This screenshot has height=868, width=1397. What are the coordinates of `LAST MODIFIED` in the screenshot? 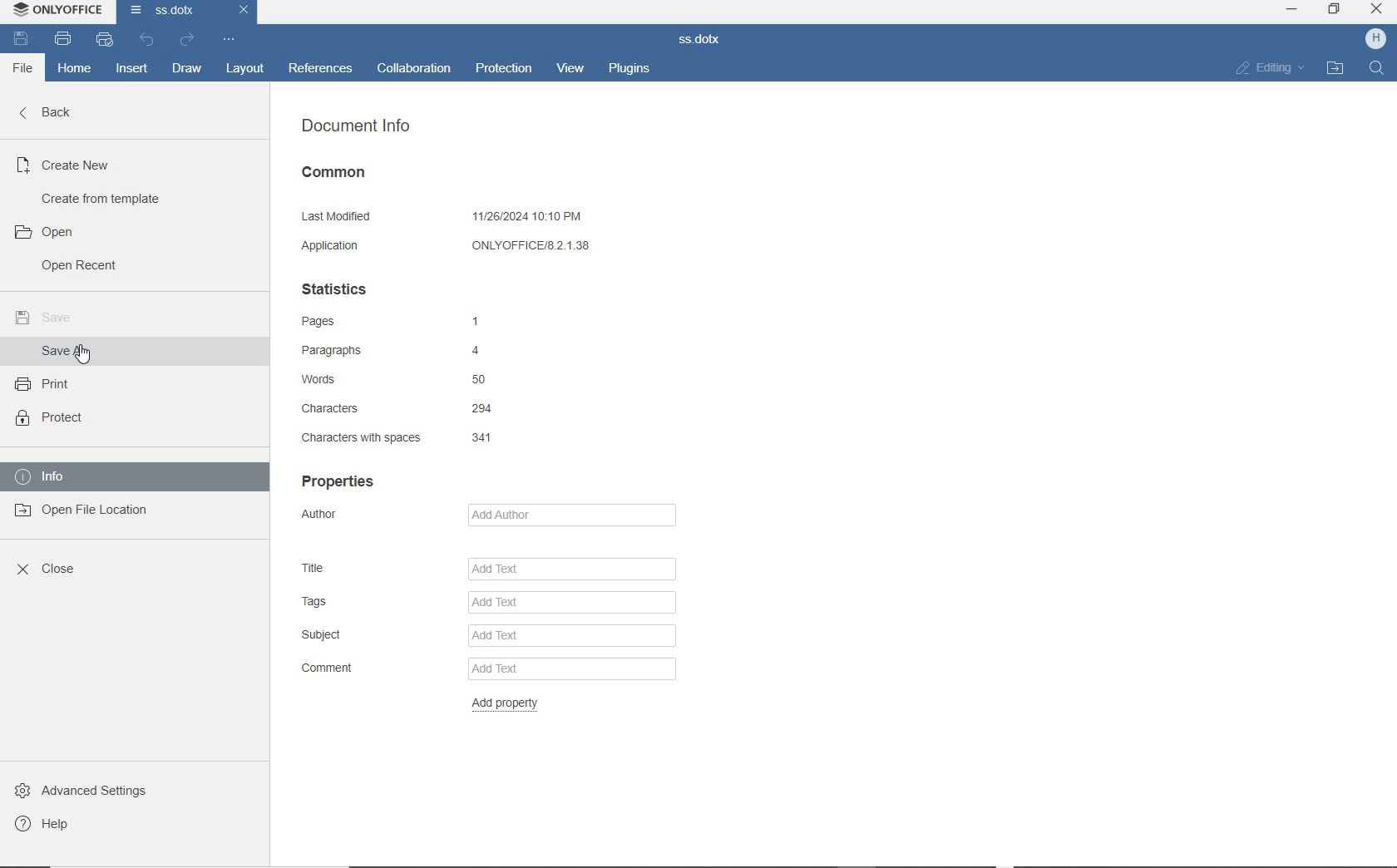 It's located at (452, 216).